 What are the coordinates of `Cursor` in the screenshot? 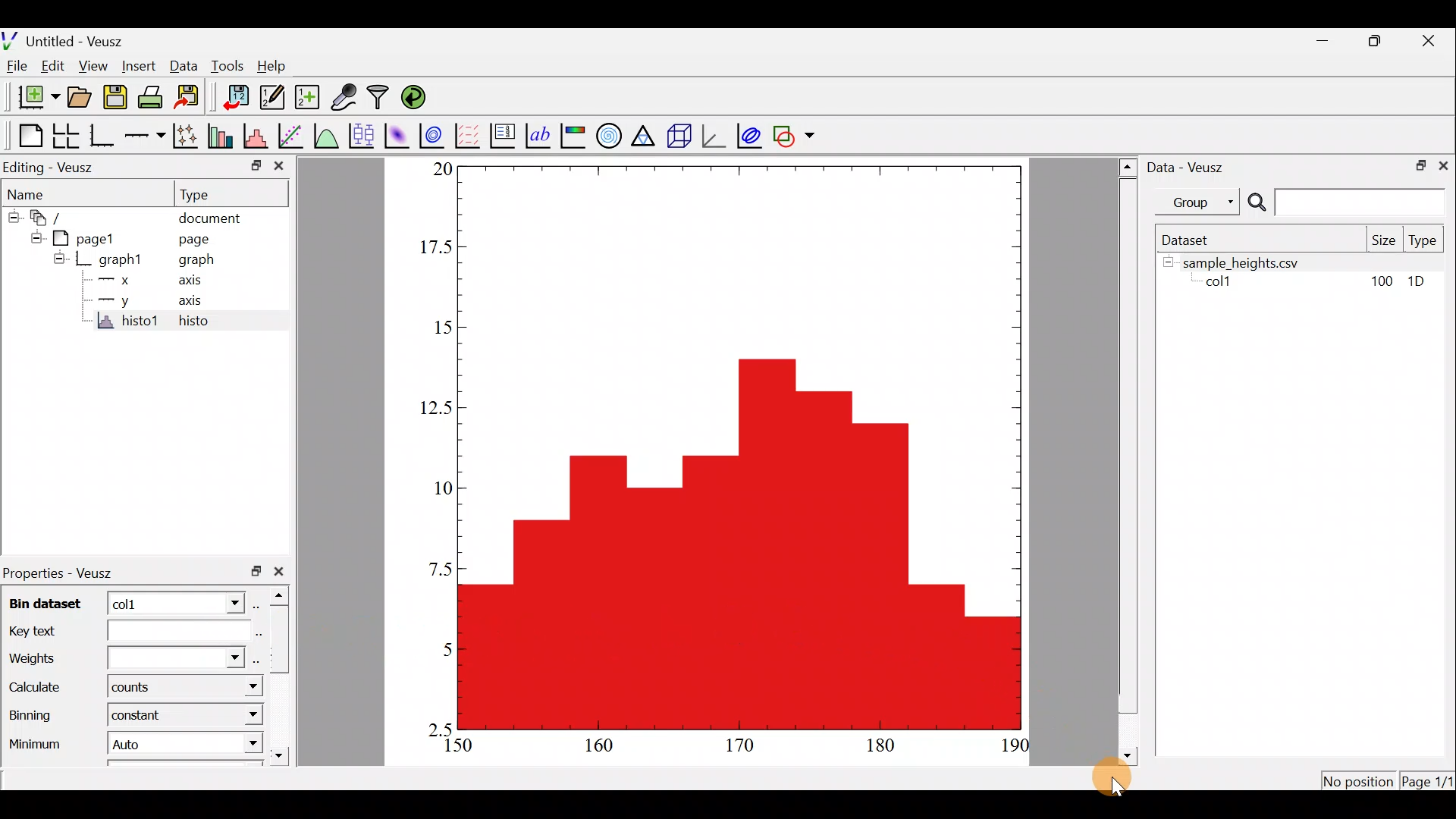 It's located at (1119, 772).